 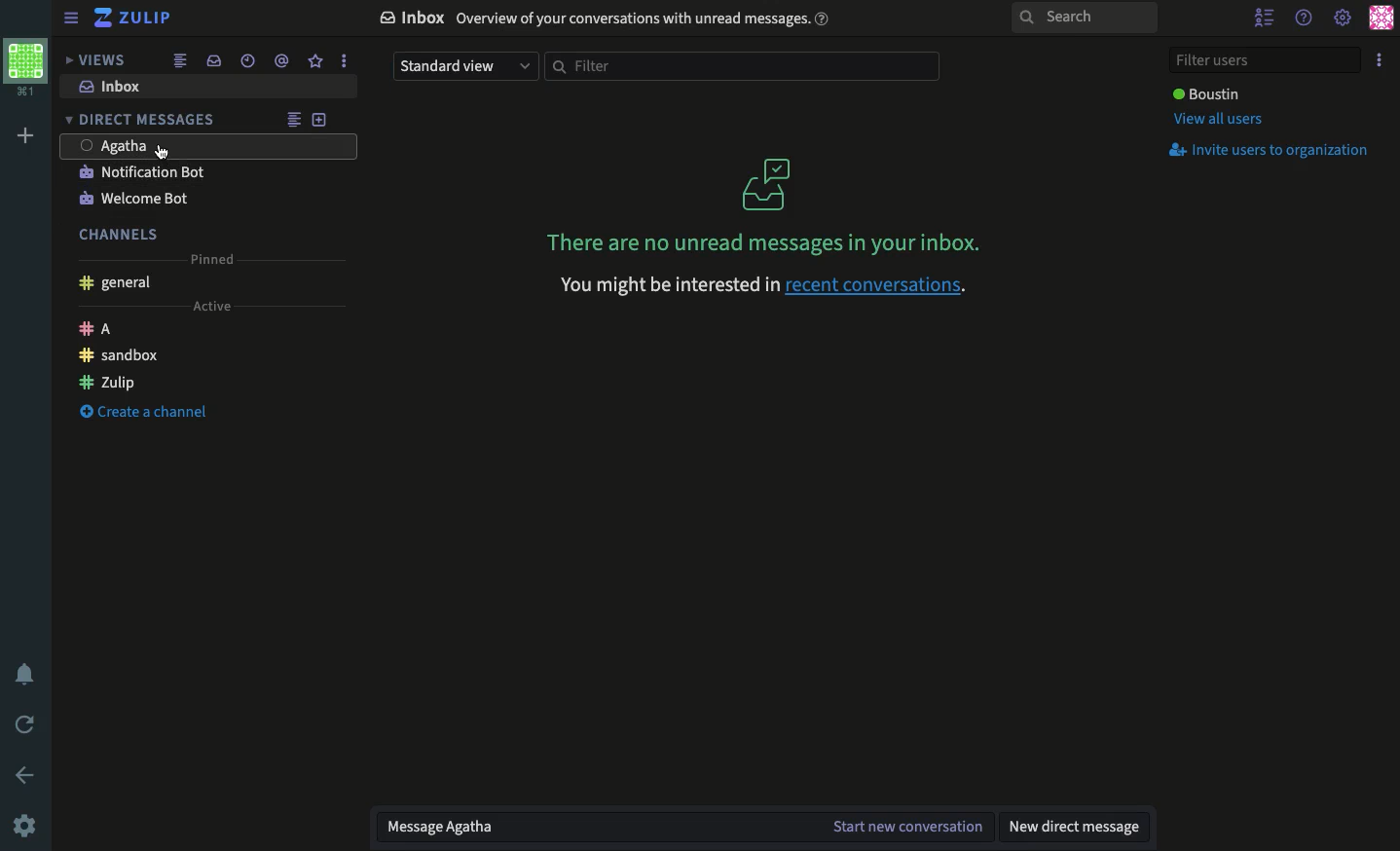 What do you see at coordinates (1266, 58) in the screenshot?
I see `Filter users` at bounding box center [1266, 58].